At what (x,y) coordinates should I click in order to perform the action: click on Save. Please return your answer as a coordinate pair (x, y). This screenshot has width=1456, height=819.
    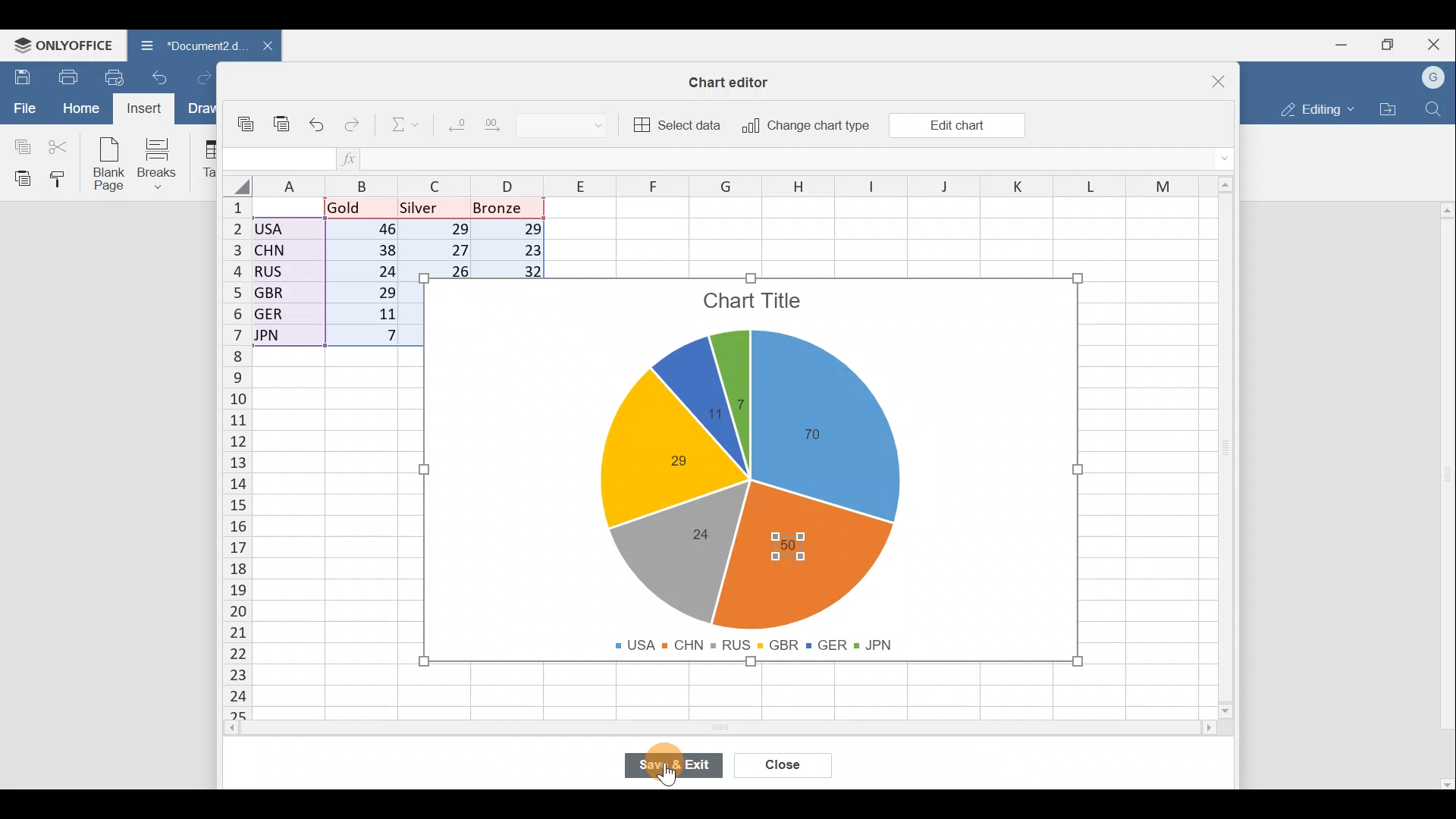
    Looking at the image, I should click on (19, 77).